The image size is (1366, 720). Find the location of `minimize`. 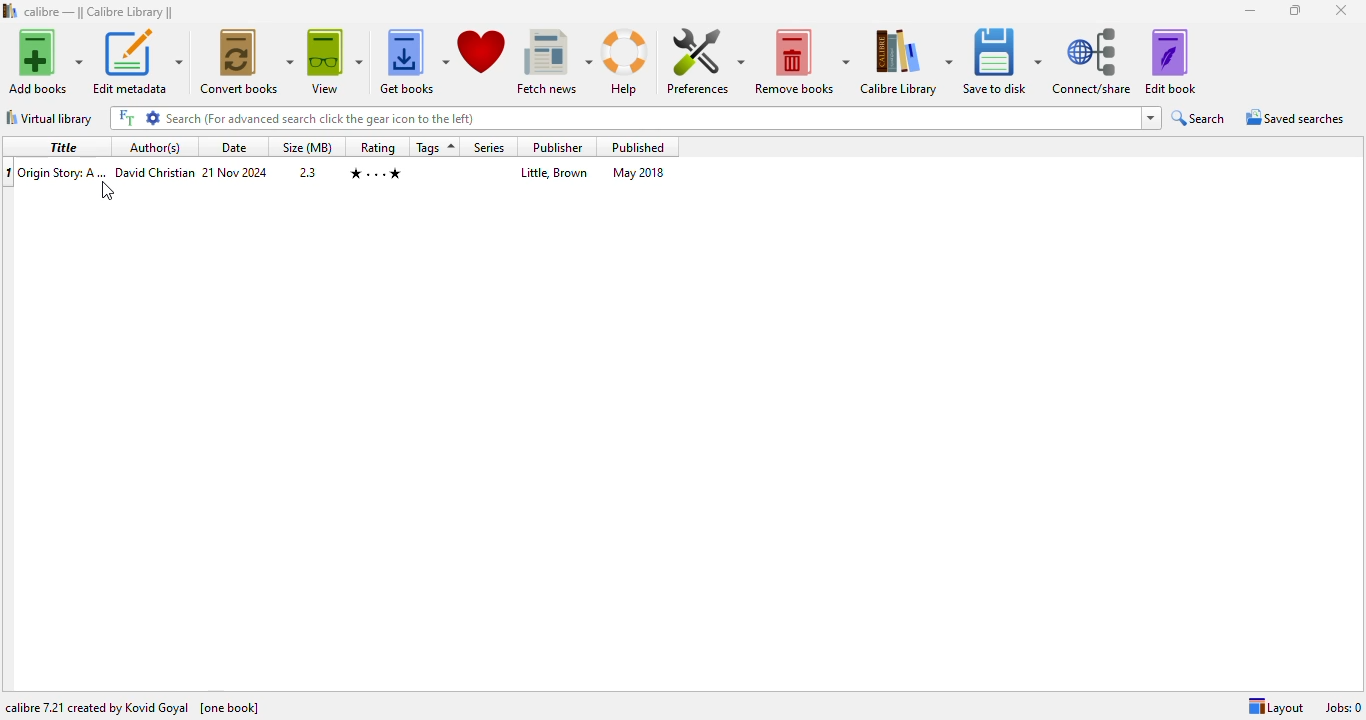

minimize is located at coordinates (1252, 11).